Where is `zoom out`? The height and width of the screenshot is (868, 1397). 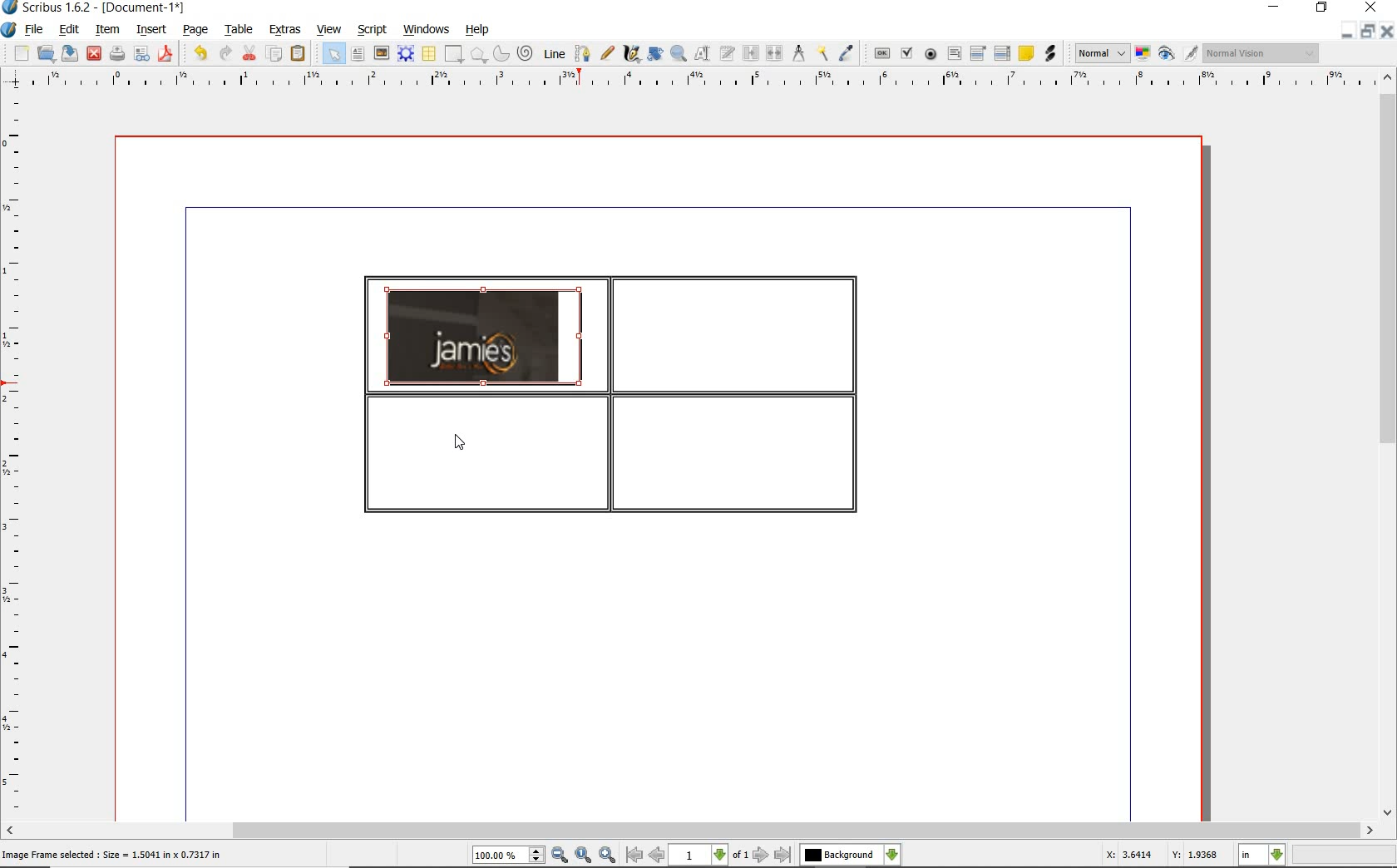
zoom out is located at coordinates (560, 856).